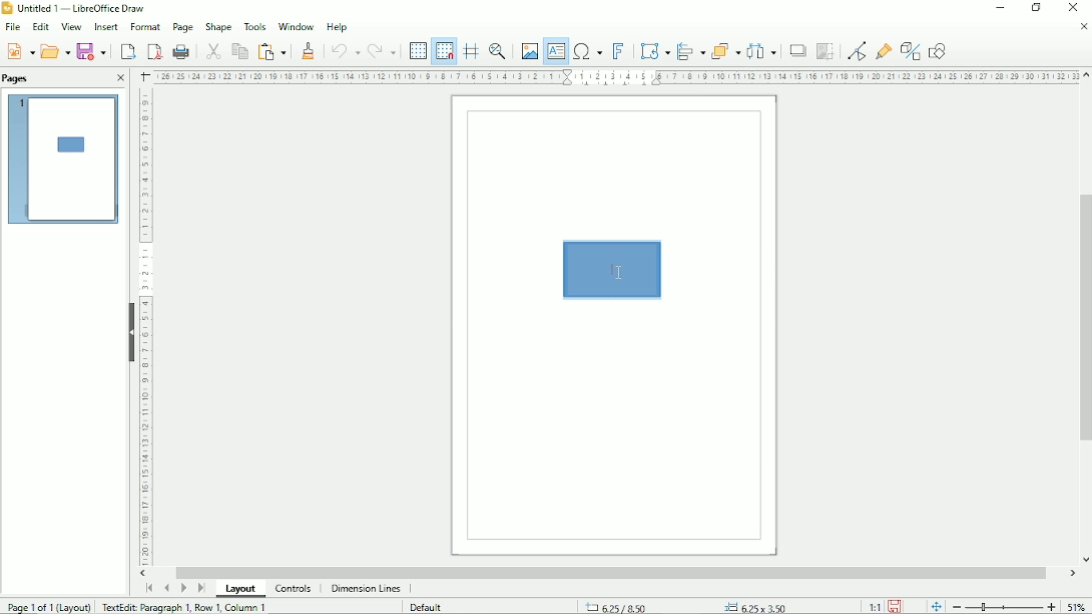  Describe the element at coordinates (16, 79) in the screenshot. I see `Pages` at that location.